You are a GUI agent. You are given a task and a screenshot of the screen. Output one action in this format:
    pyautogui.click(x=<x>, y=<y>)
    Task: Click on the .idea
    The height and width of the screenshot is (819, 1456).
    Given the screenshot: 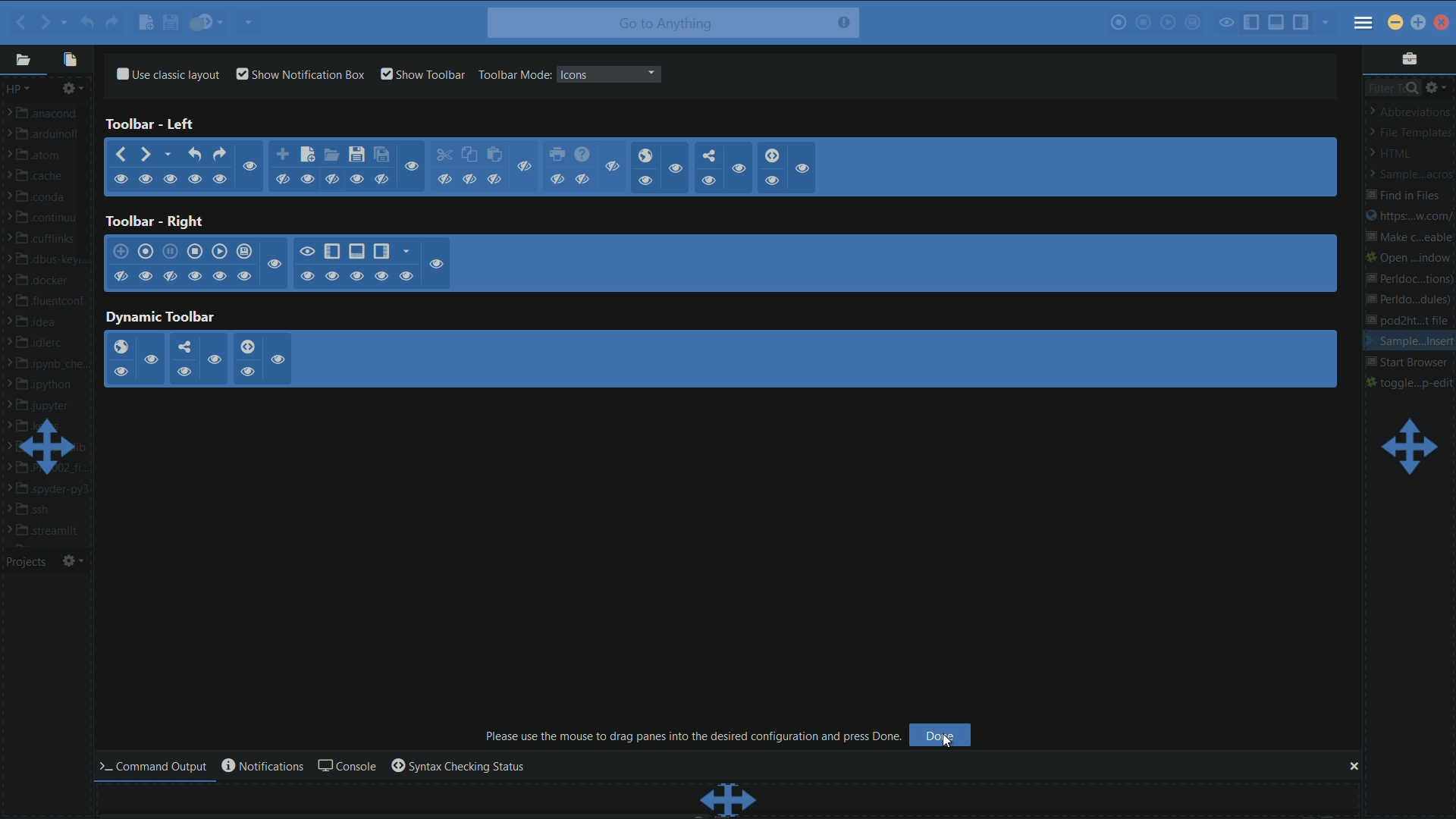 What is the action you would take?
    pyautogui.click(x=43, y=322)
    